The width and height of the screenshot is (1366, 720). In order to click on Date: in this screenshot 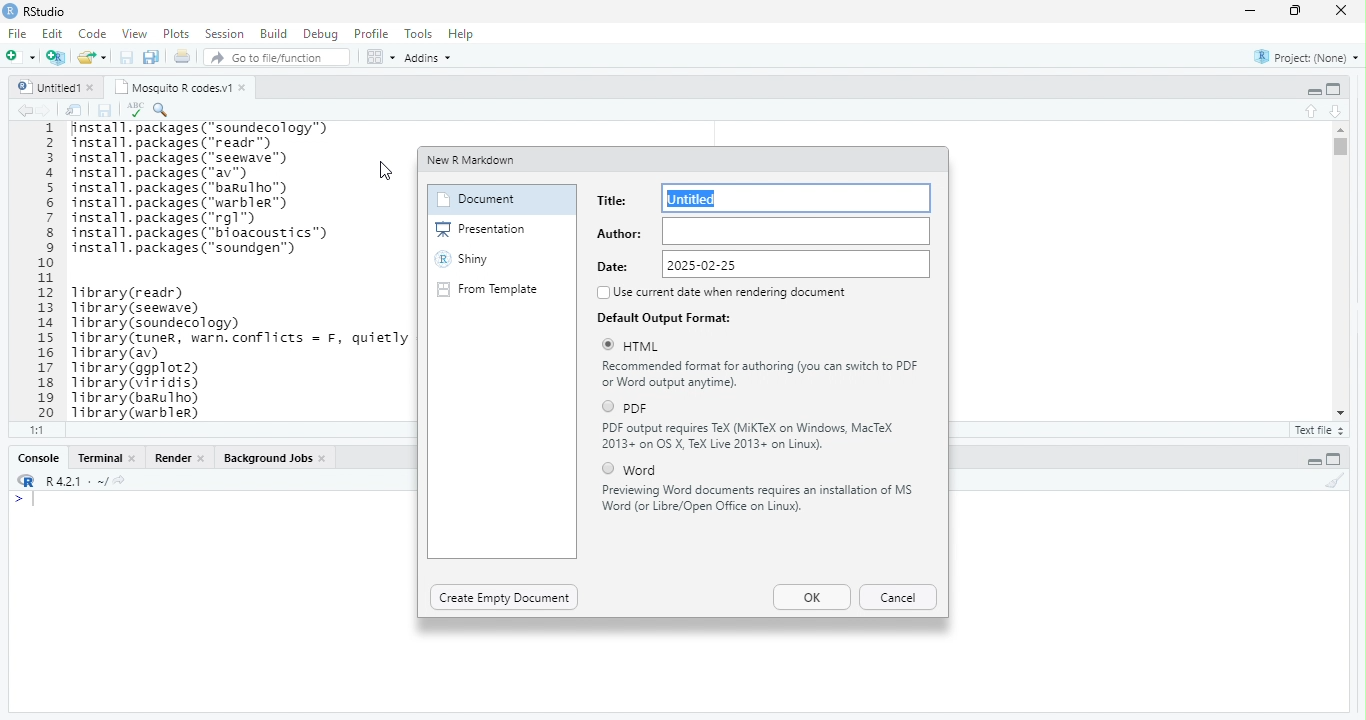, I will do `click(615, 266)`.